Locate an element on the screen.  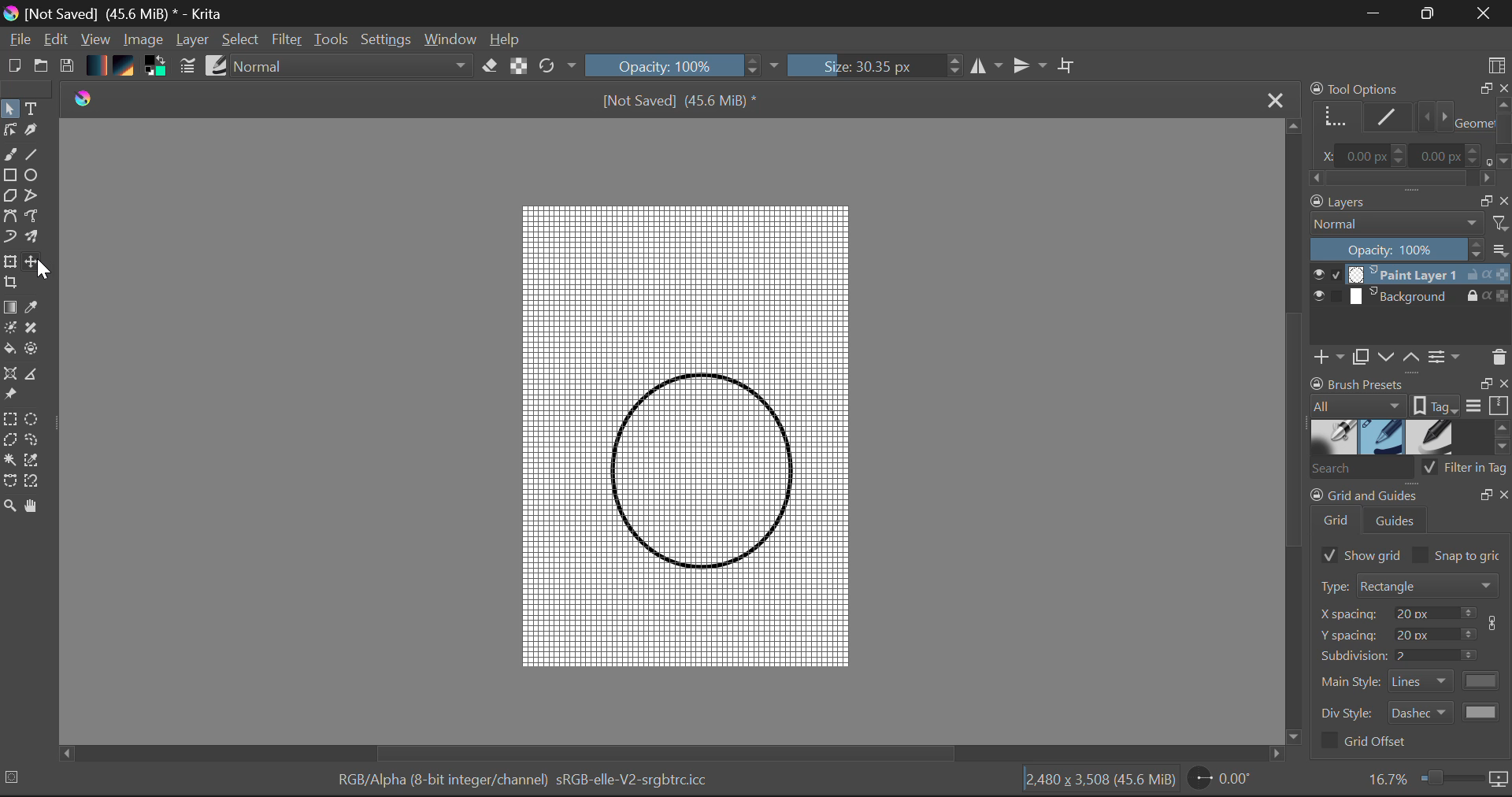
Open is located at coordinates (41, 67).